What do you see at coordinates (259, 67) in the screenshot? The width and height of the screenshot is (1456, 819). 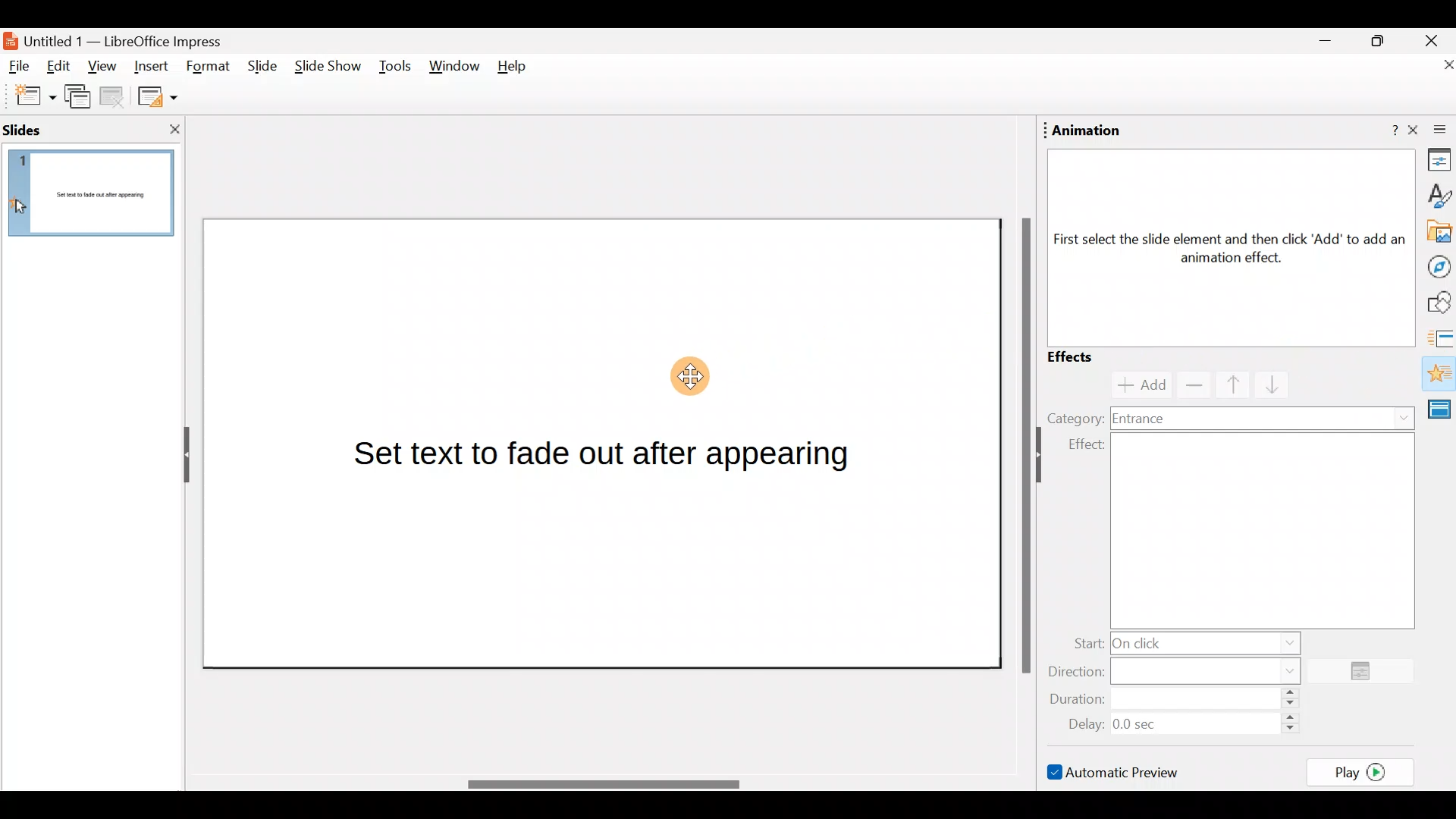 I see `Slide` at bounding box center [259, 67].